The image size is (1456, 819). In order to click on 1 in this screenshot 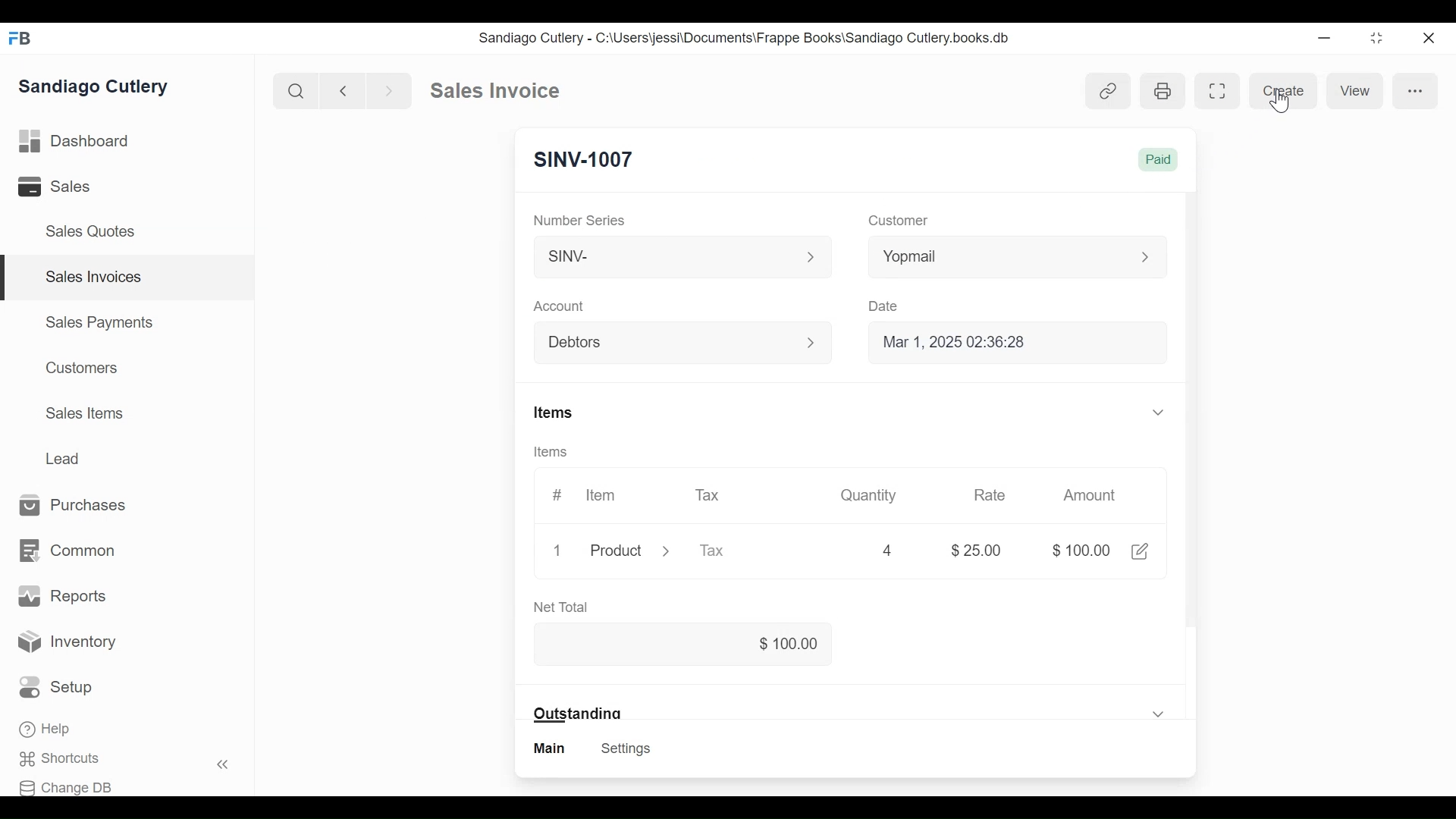, I will do `click(557, 550)`.